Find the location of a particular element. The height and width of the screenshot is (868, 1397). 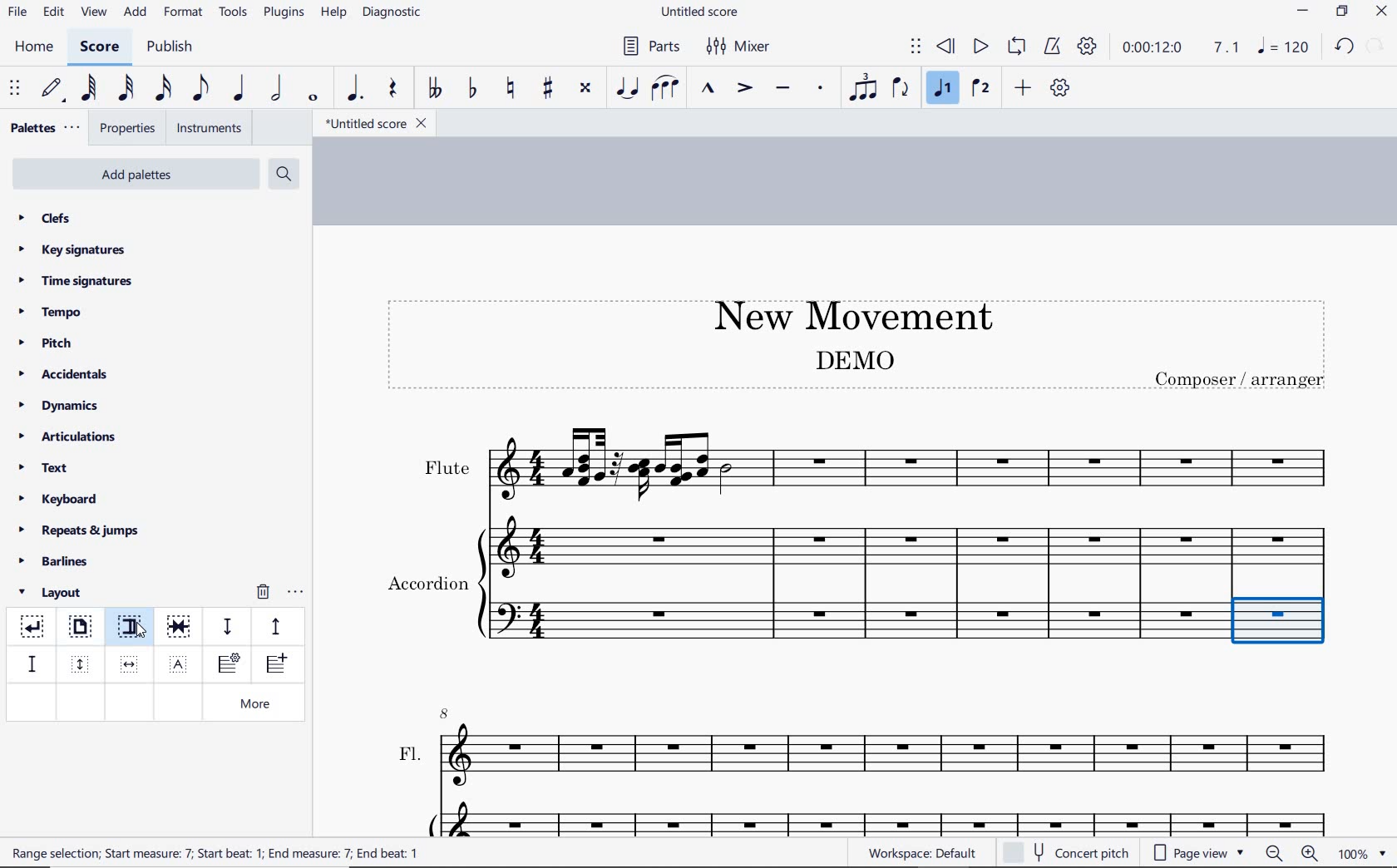

eighth note is located at coordinates (200, 91).